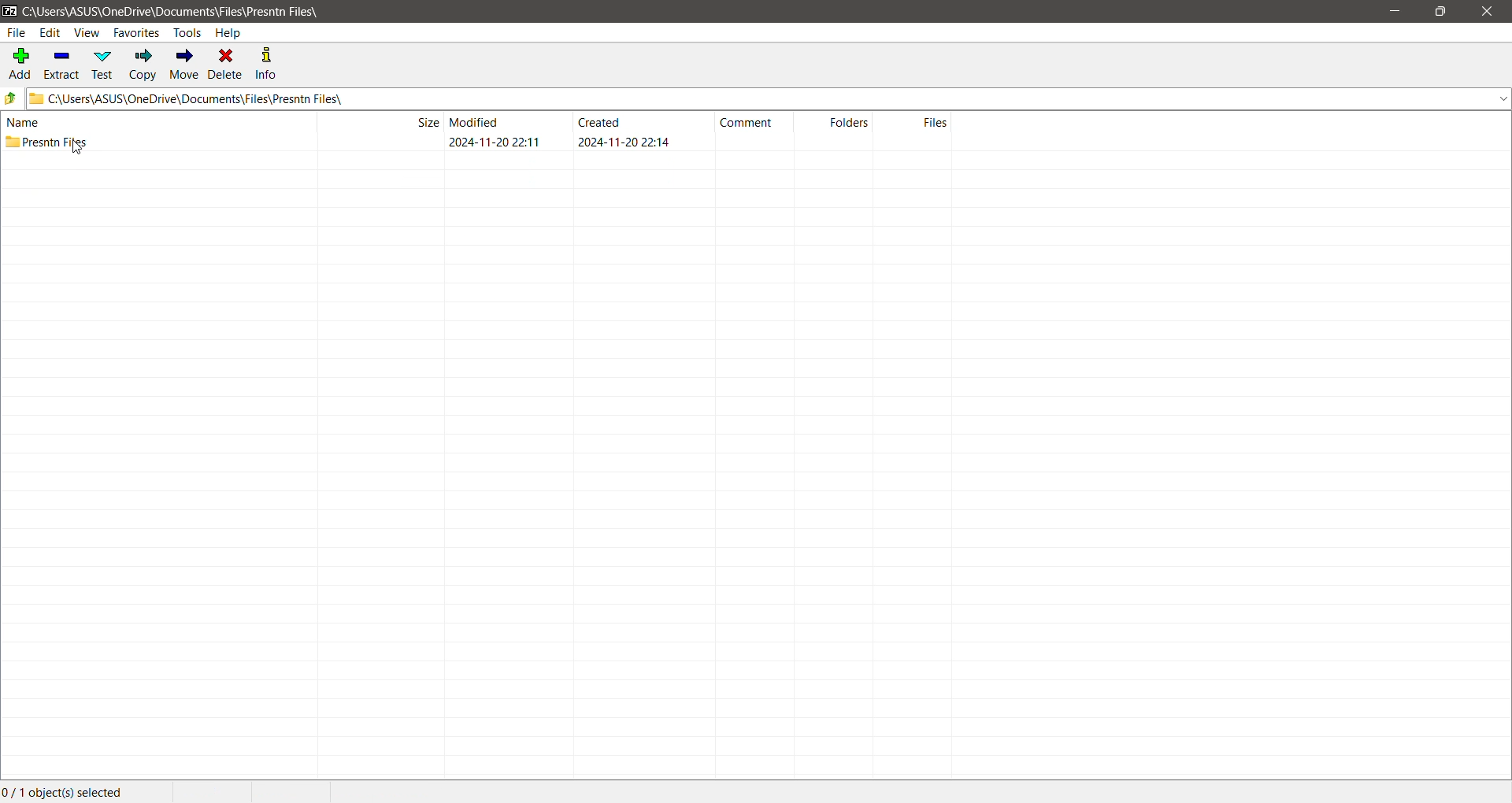 The height and width of the screenshot is (803, 1512). Describe the element at coordinates (747, 123) in the screenshot. I see `comment` at that location.